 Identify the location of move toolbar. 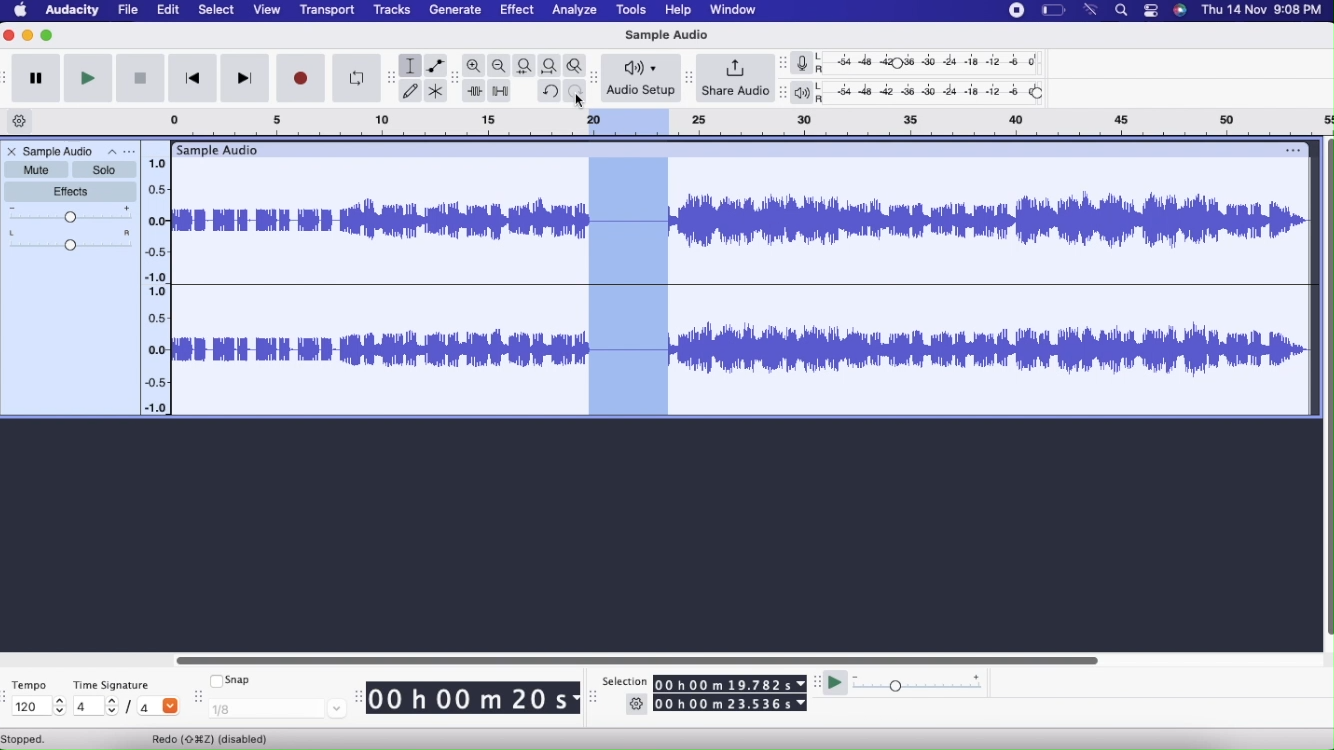
(8, 80).